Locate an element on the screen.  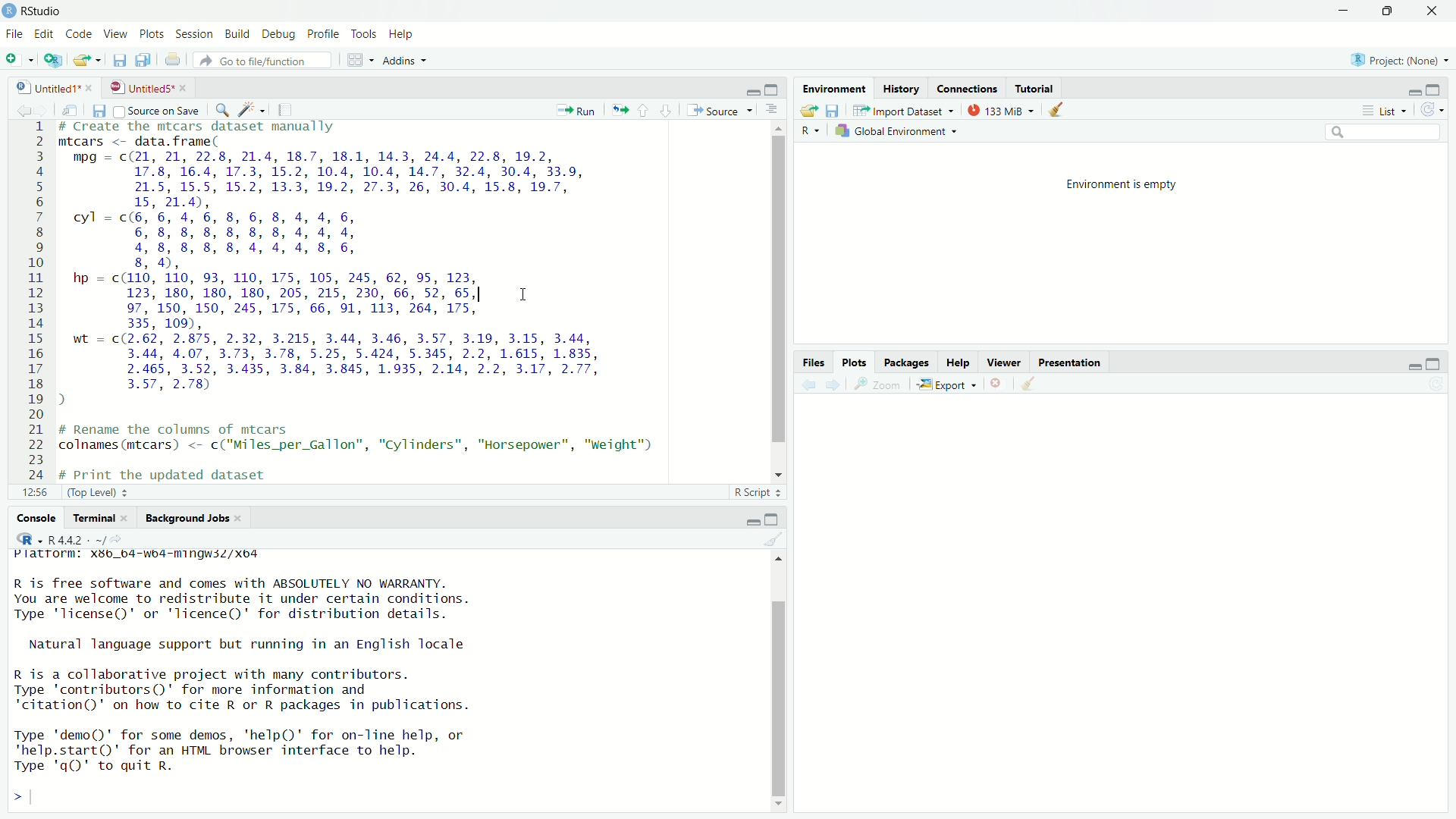
move is located at coordinates (70, 109).